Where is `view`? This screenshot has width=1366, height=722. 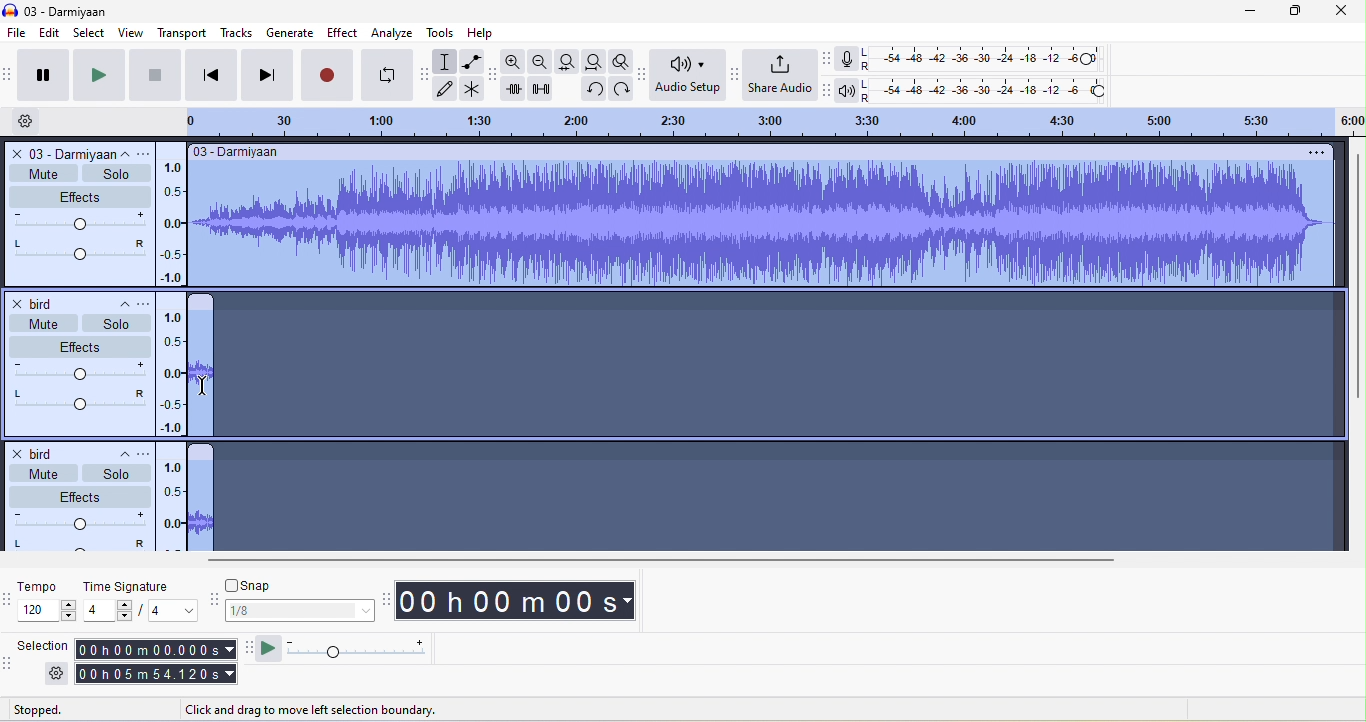
view is located at coordinates (128, 32).